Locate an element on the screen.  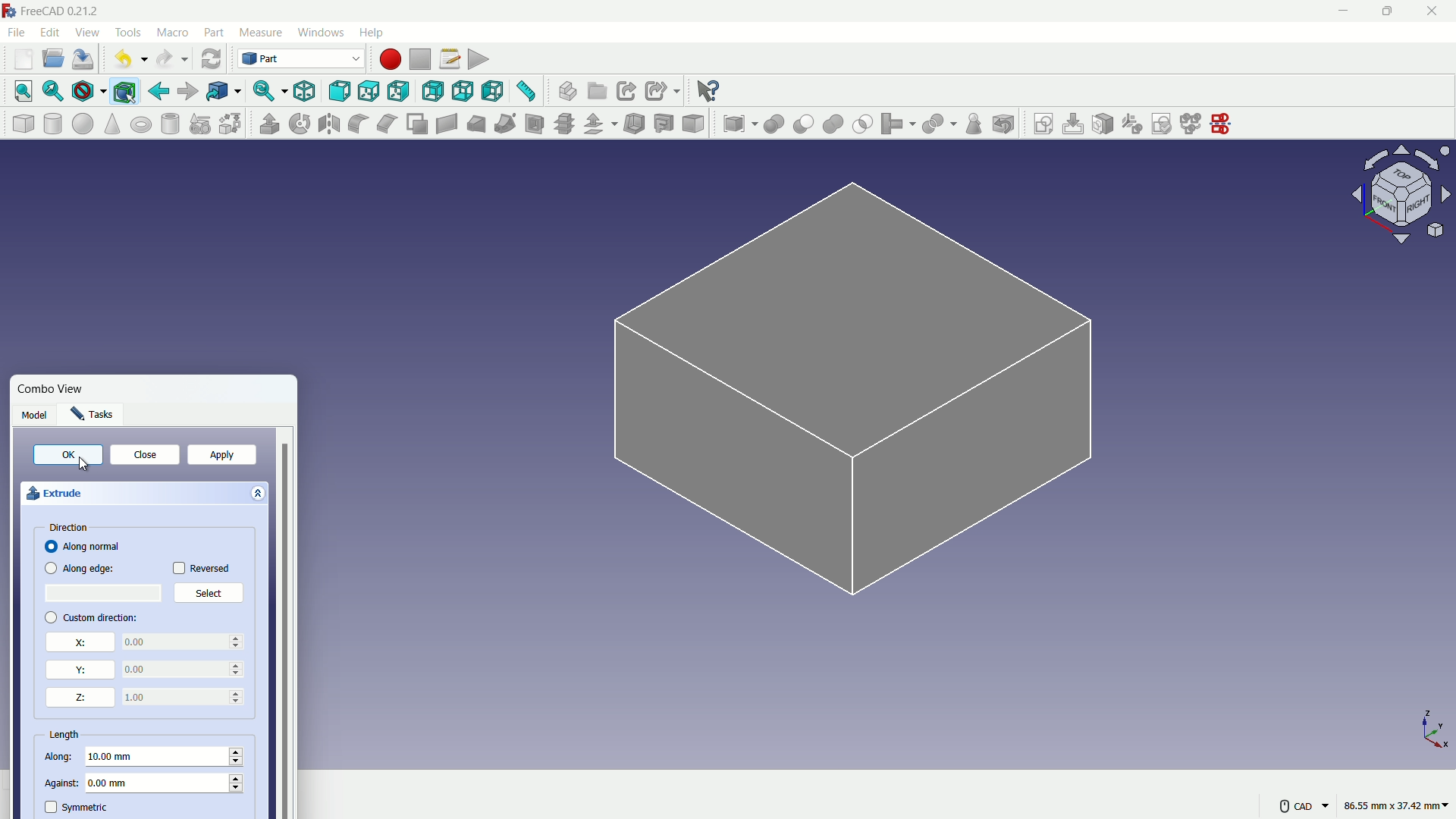
join object is located at coordinates (897, 123).